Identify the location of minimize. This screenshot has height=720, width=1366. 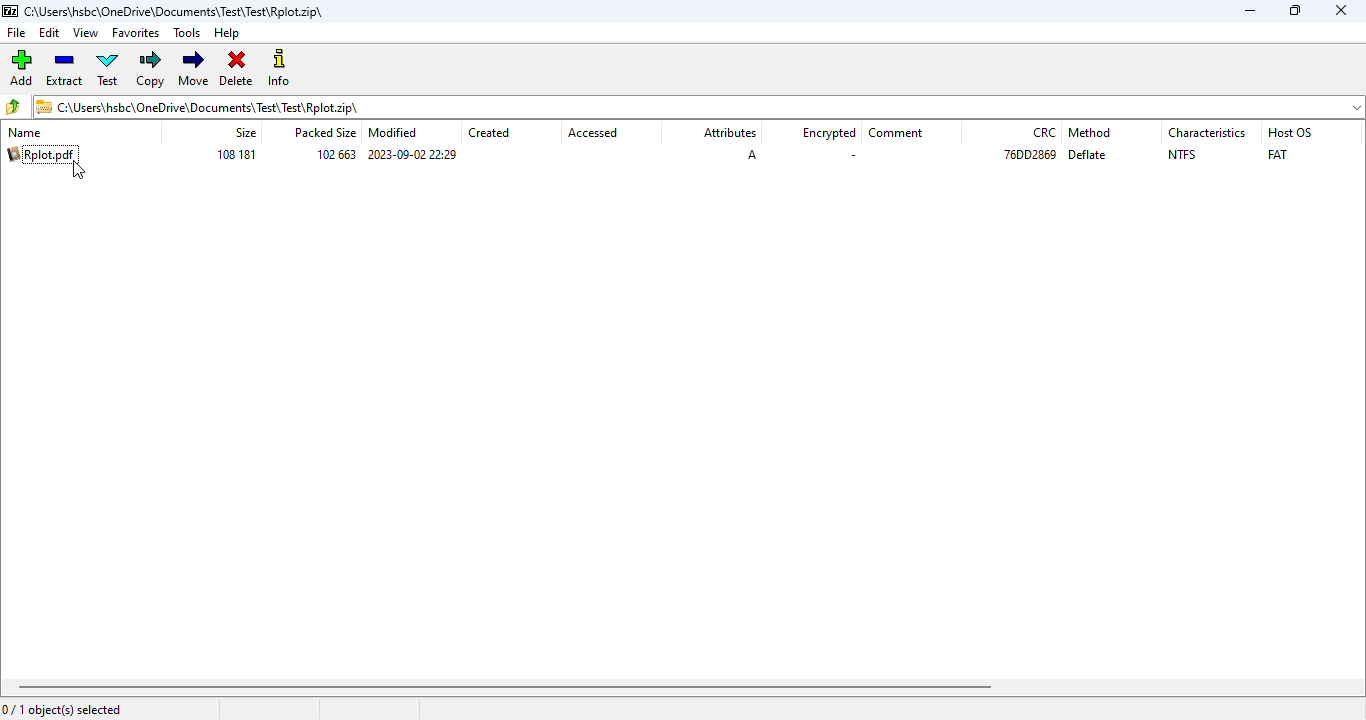
(1249, 11).